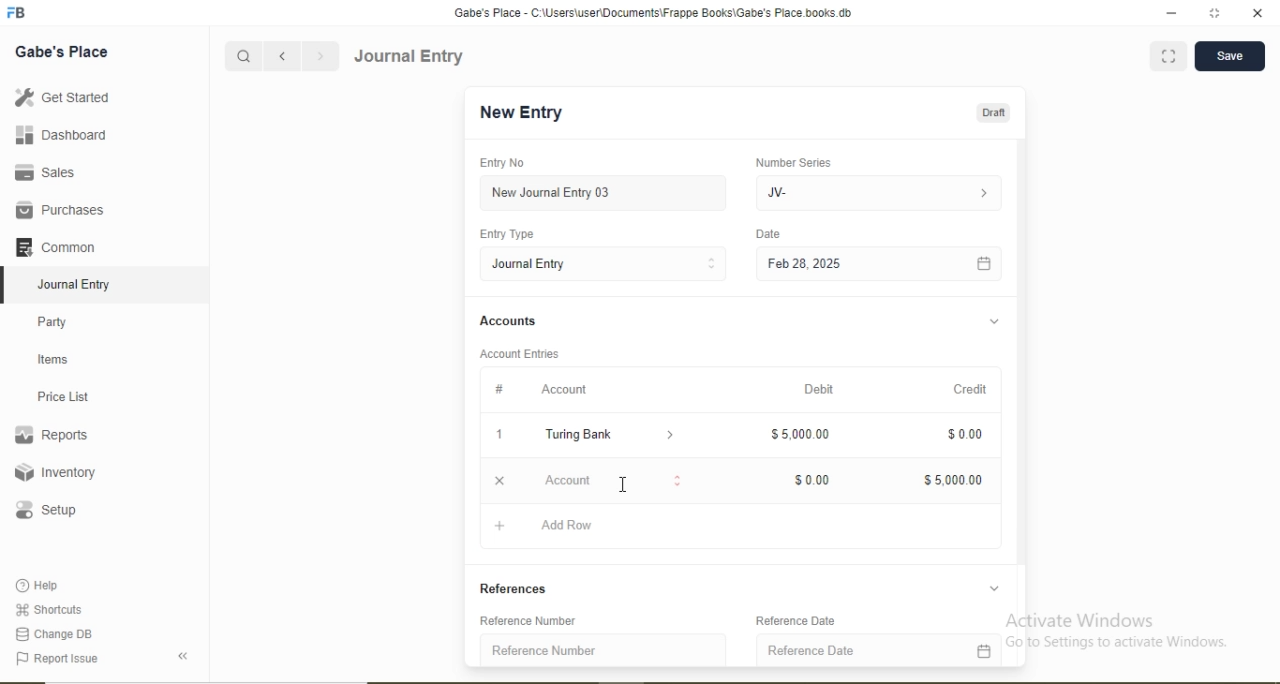  Describe the element at coordinates (993, 114) in the screenshot. I see `Draft` at that location.